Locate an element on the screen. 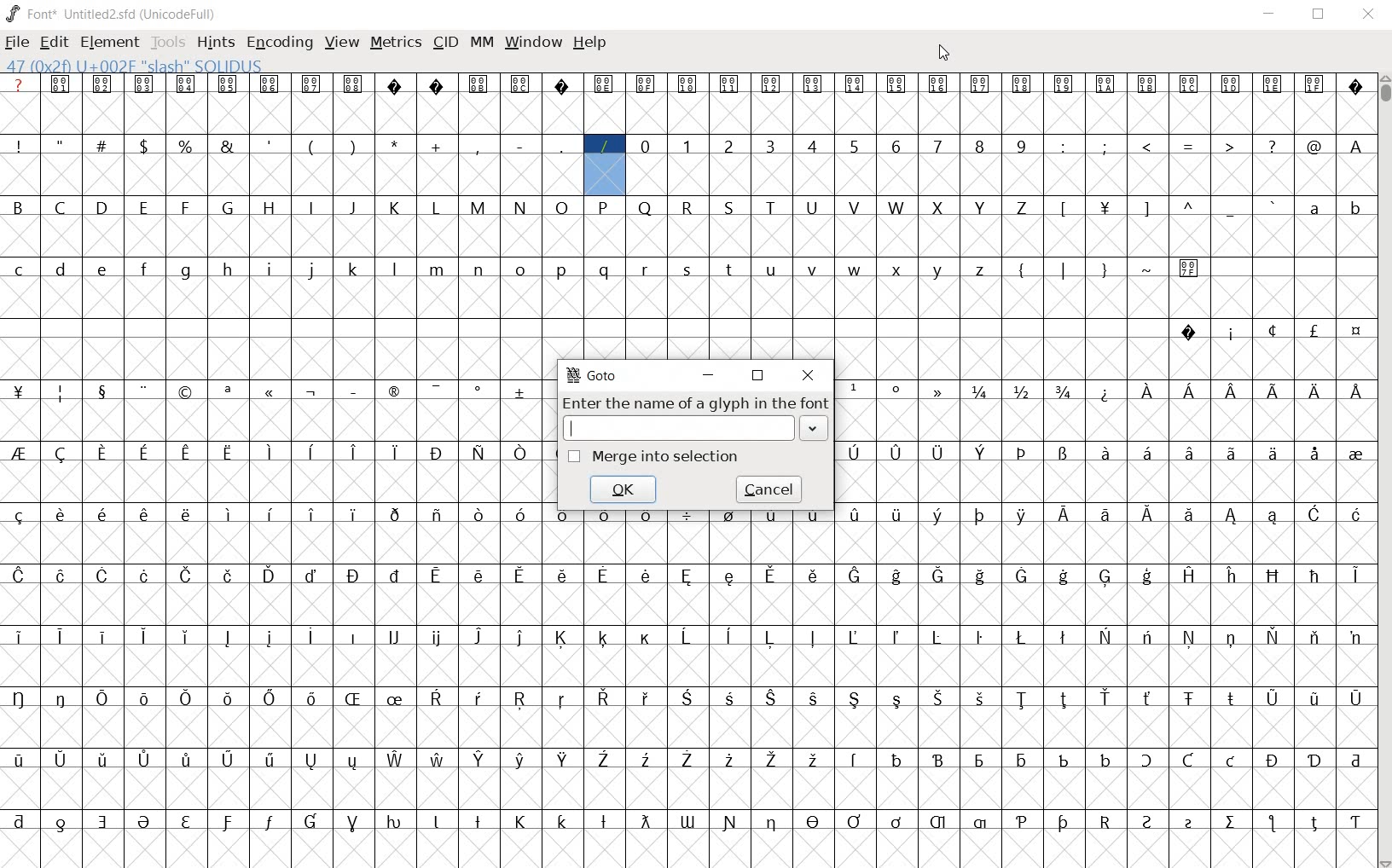 This screenshot has height=868, width=1392. cancel is located at coordinates (769, 488).